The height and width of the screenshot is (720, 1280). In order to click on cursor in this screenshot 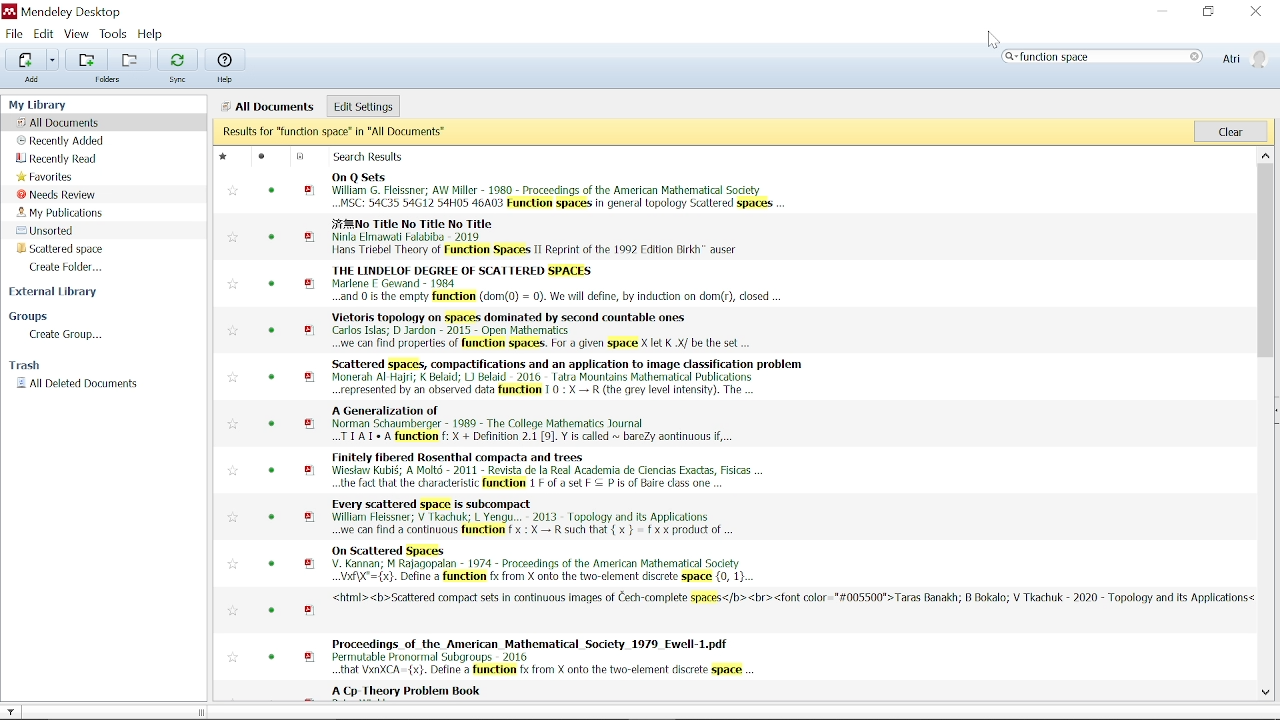, I will do `click(994, 39)`.